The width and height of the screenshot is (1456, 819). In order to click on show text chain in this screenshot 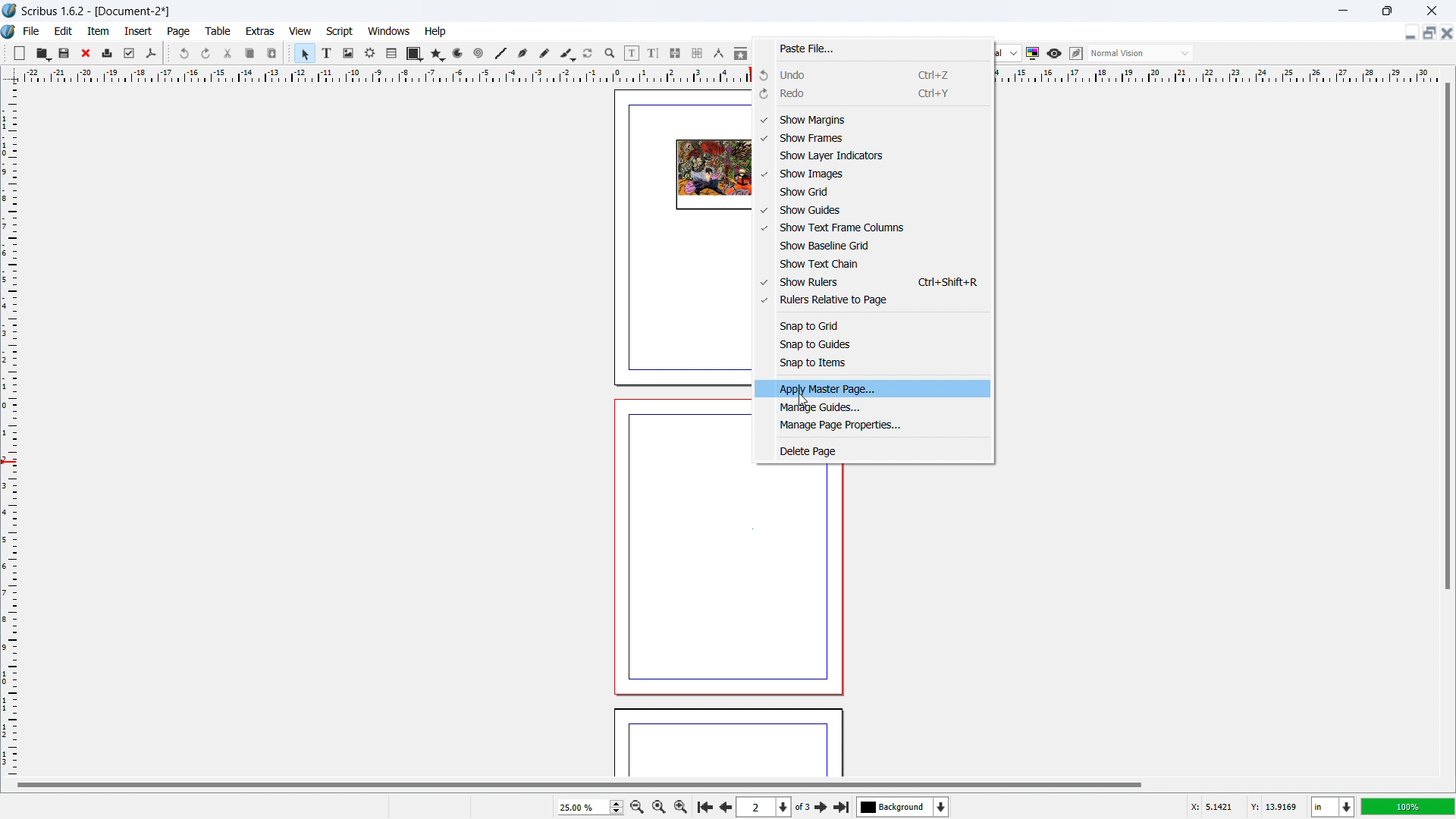, I will do `click(874, 263)`.